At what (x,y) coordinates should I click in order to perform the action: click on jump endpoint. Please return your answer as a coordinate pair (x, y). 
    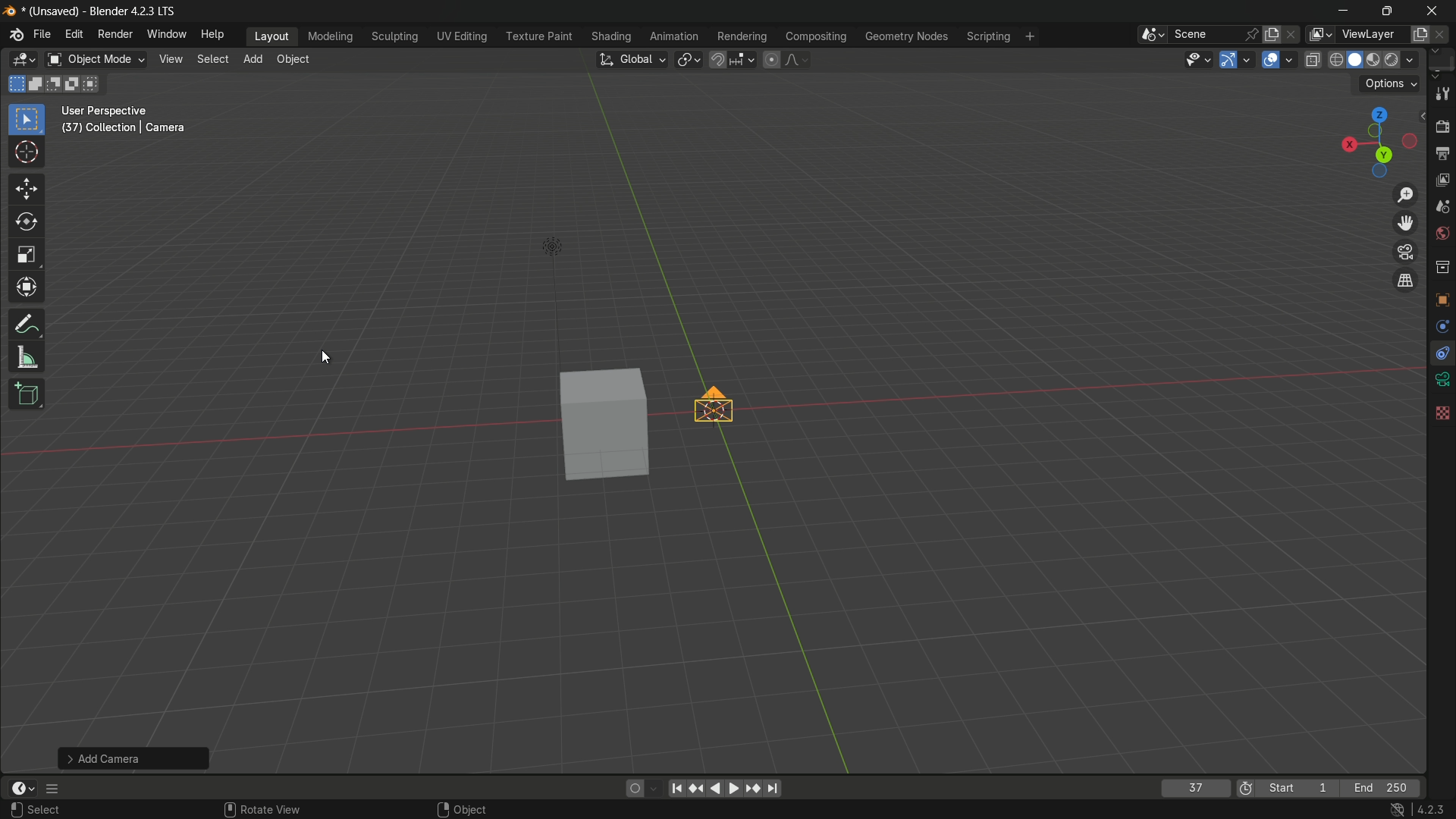
    Looking at the image, I should click on (774, 789).